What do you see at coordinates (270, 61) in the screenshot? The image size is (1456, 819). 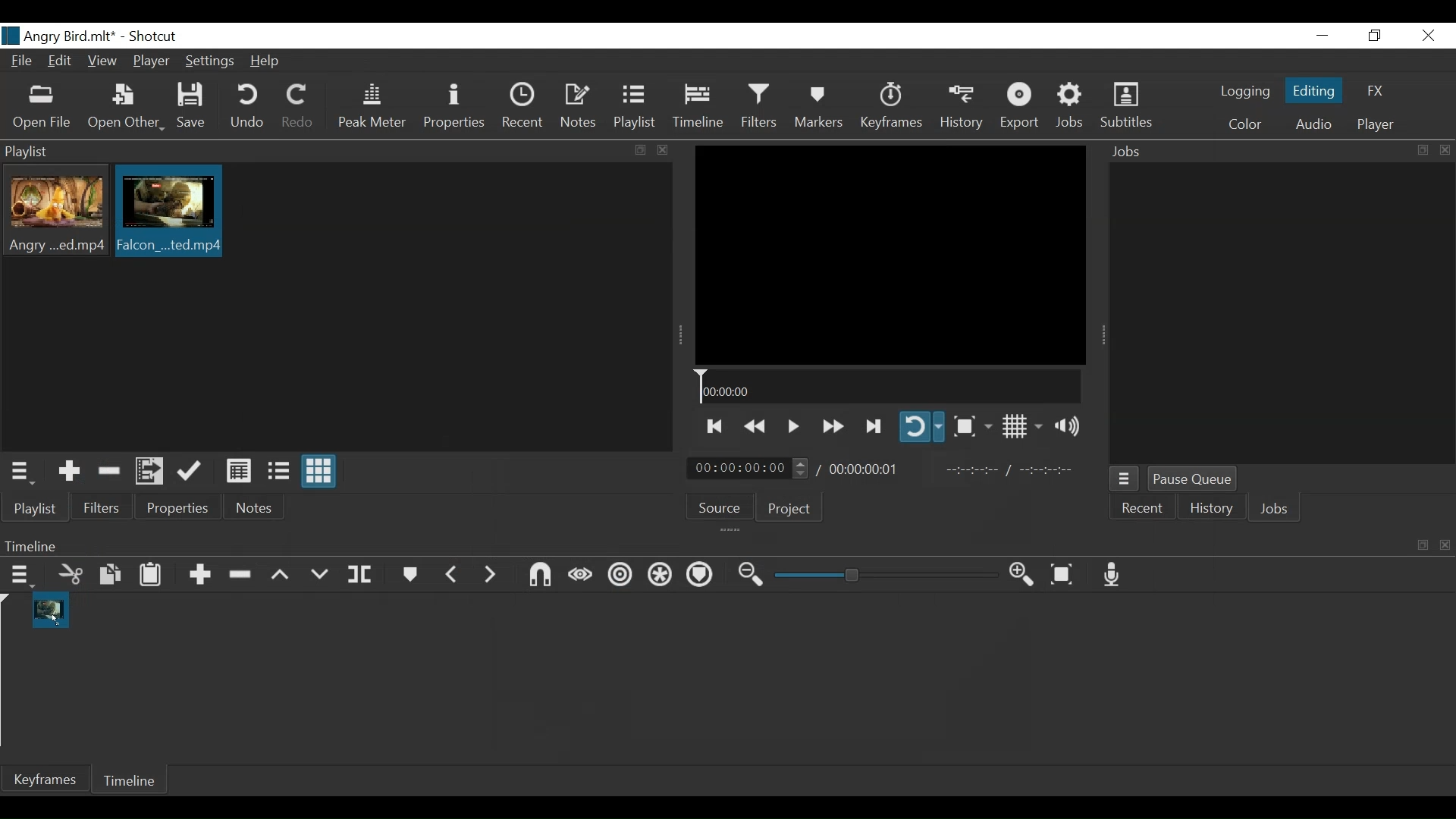 I see `Help` at bounding box center [270, 61].